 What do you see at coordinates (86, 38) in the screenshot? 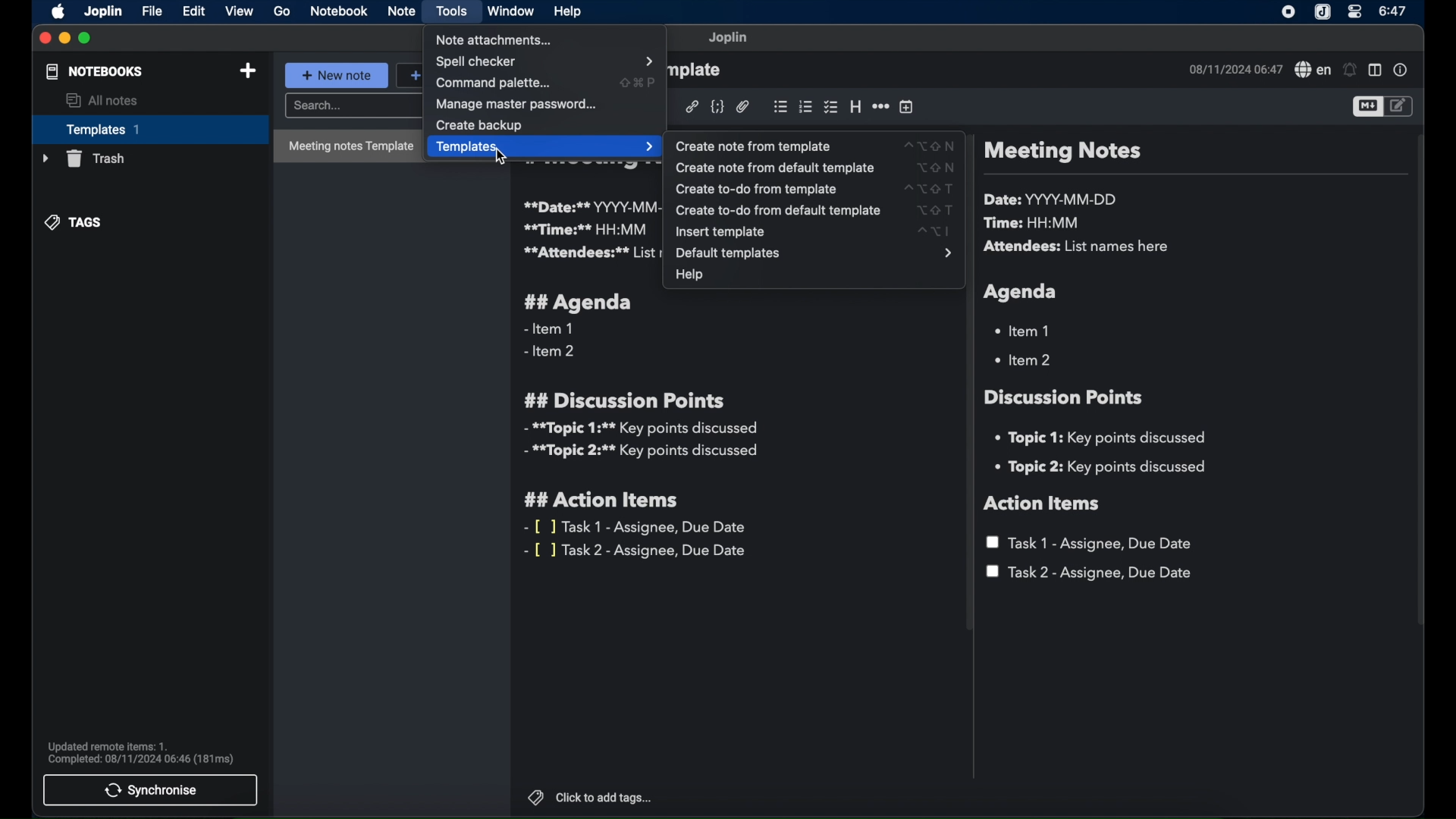
I see `maximize` at bounding box center [86, 38].